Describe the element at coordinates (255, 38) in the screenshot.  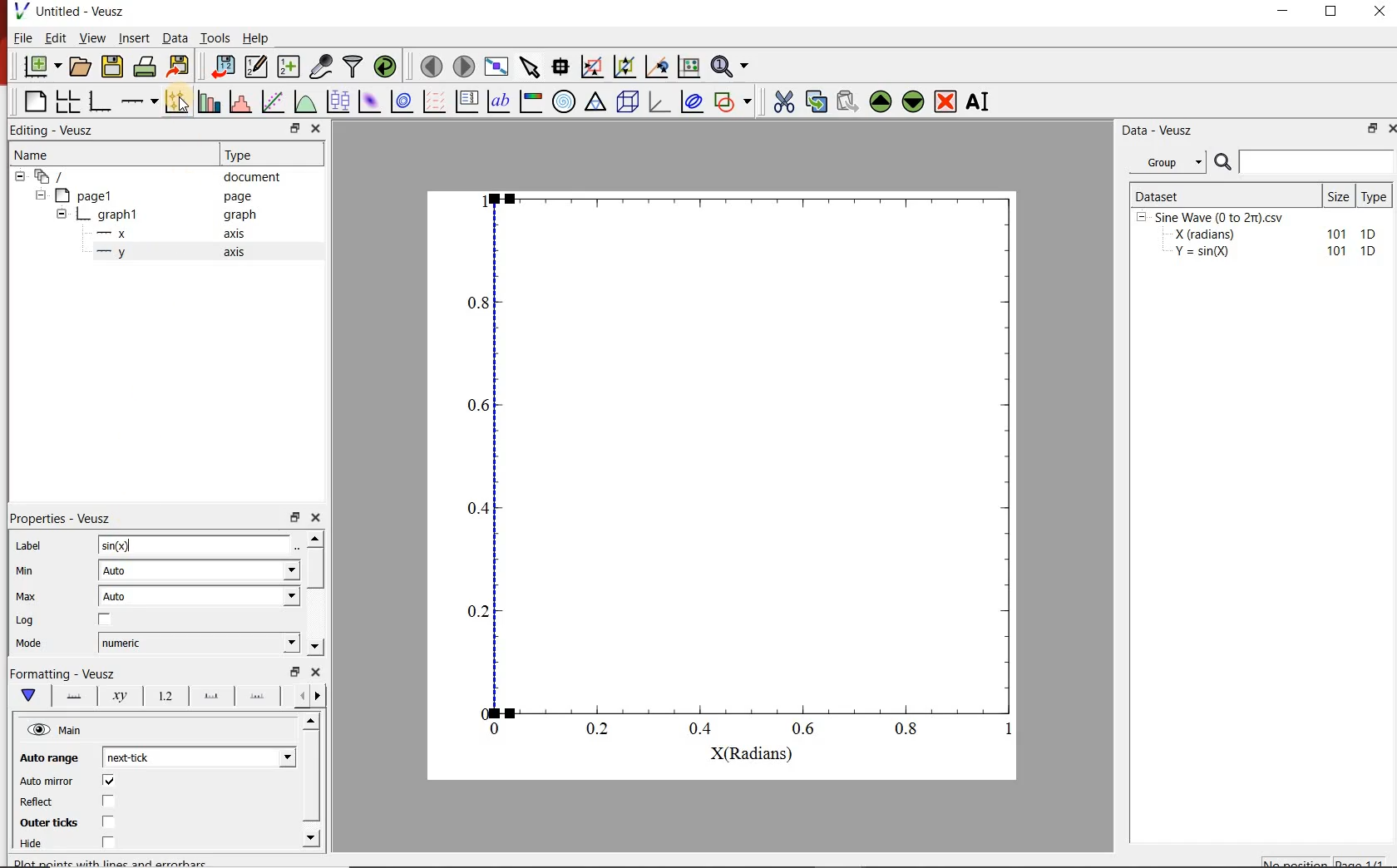
I see `Help` at that location.